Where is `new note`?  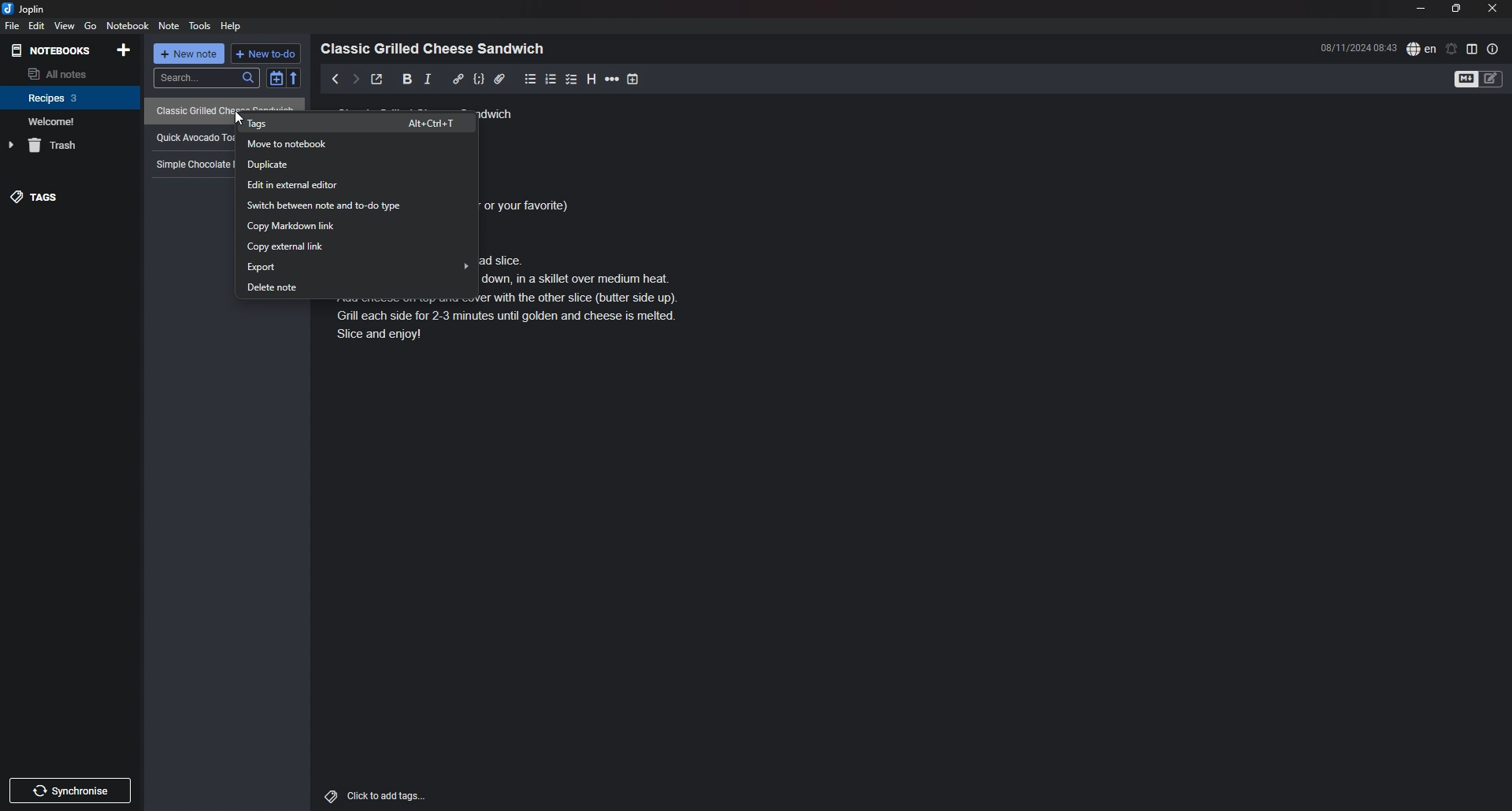
new note is located at coordinates (190, 54).